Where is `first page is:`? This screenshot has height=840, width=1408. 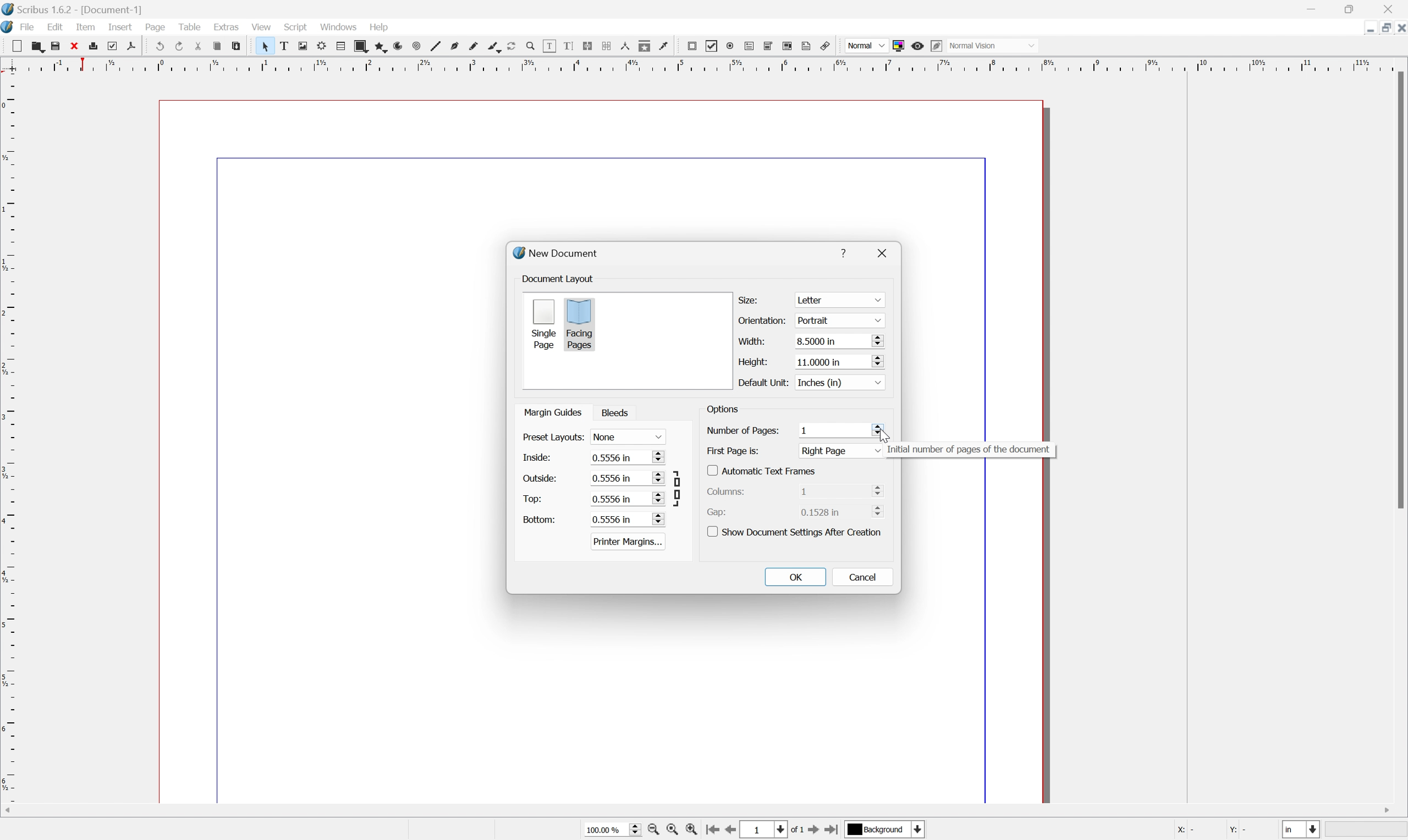 first page is: is located at coordinates (733, 450).